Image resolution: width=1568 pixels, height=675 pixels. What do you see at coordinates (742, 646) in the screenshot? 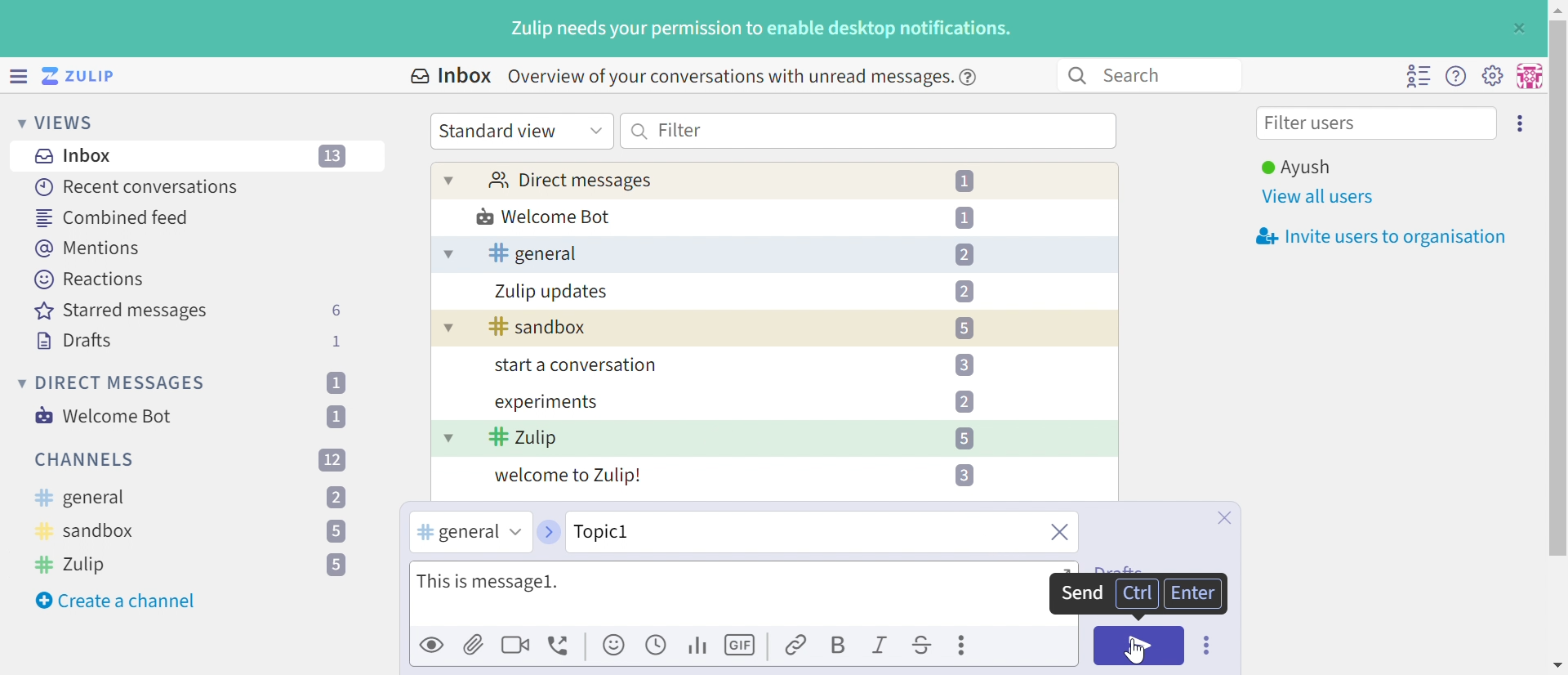
I see `GIF` at bounding box center [742, 646].